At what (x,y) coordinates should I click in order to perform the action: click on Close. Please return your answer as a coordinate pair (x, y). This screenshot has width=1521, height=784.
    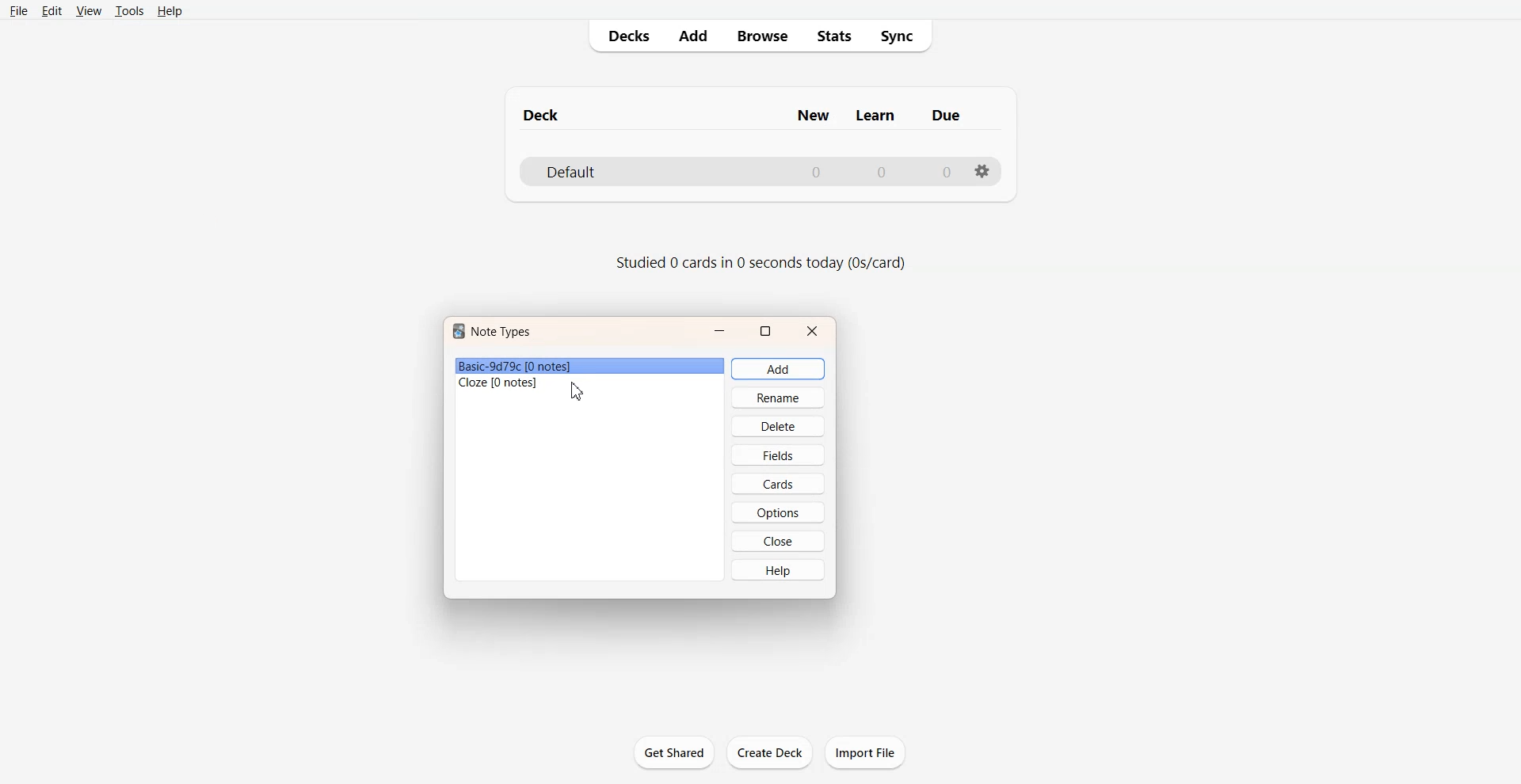
    Looking at the image, I should click on (812, 332).